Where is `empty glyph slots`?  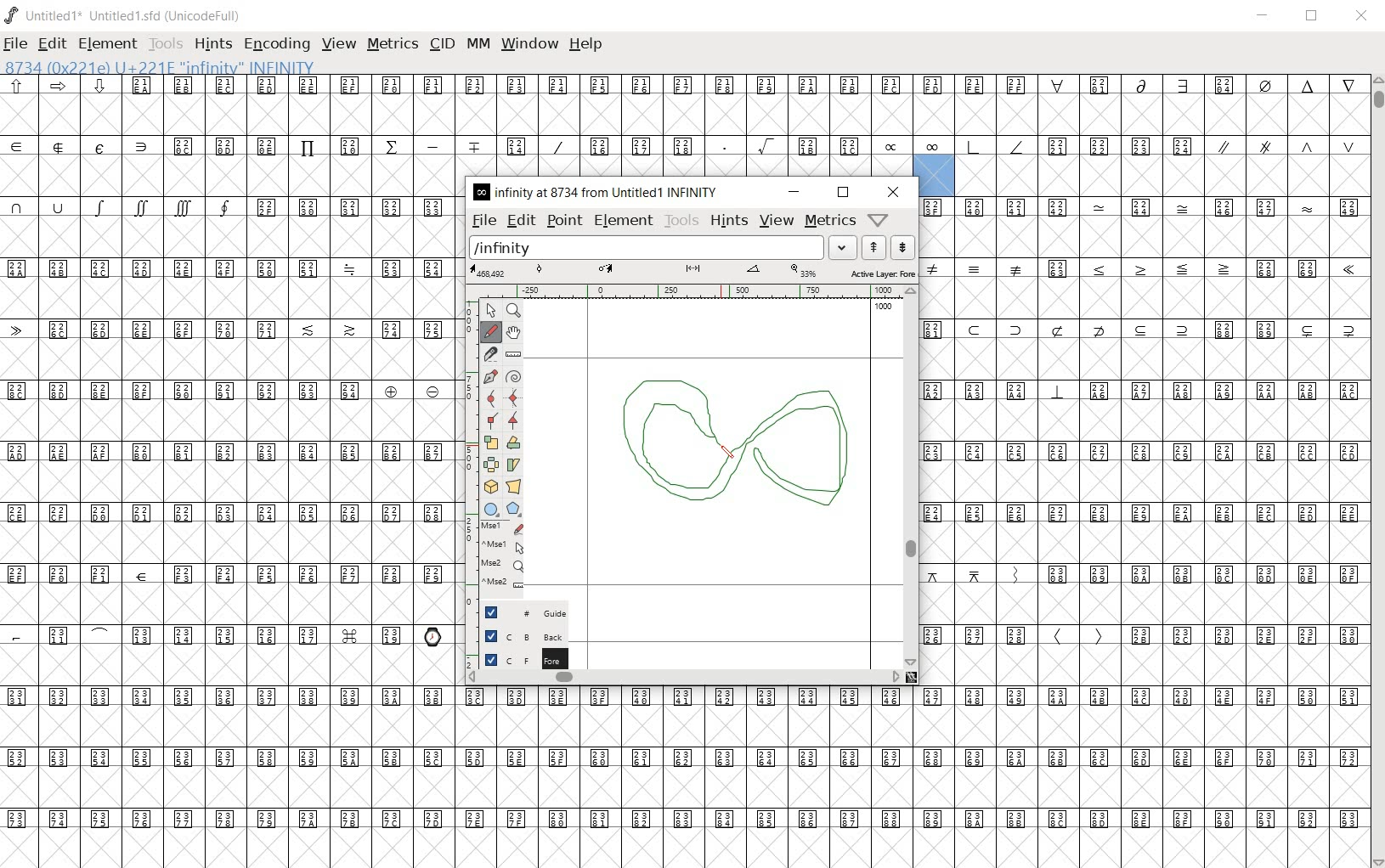 empty glyph slots is located at coordinates (229, 298).